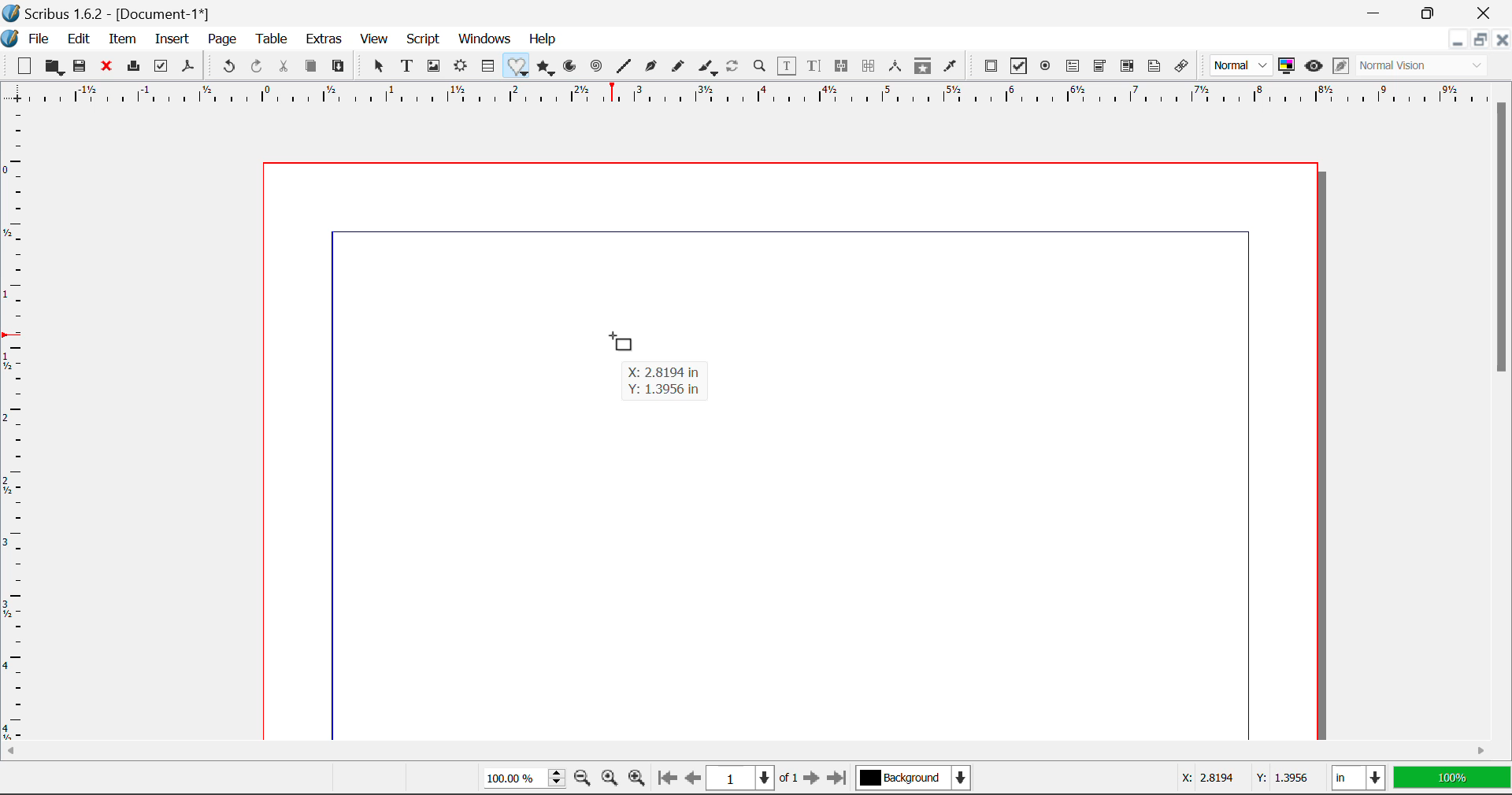  I want to click on Restore Down, so click(1378, 12).